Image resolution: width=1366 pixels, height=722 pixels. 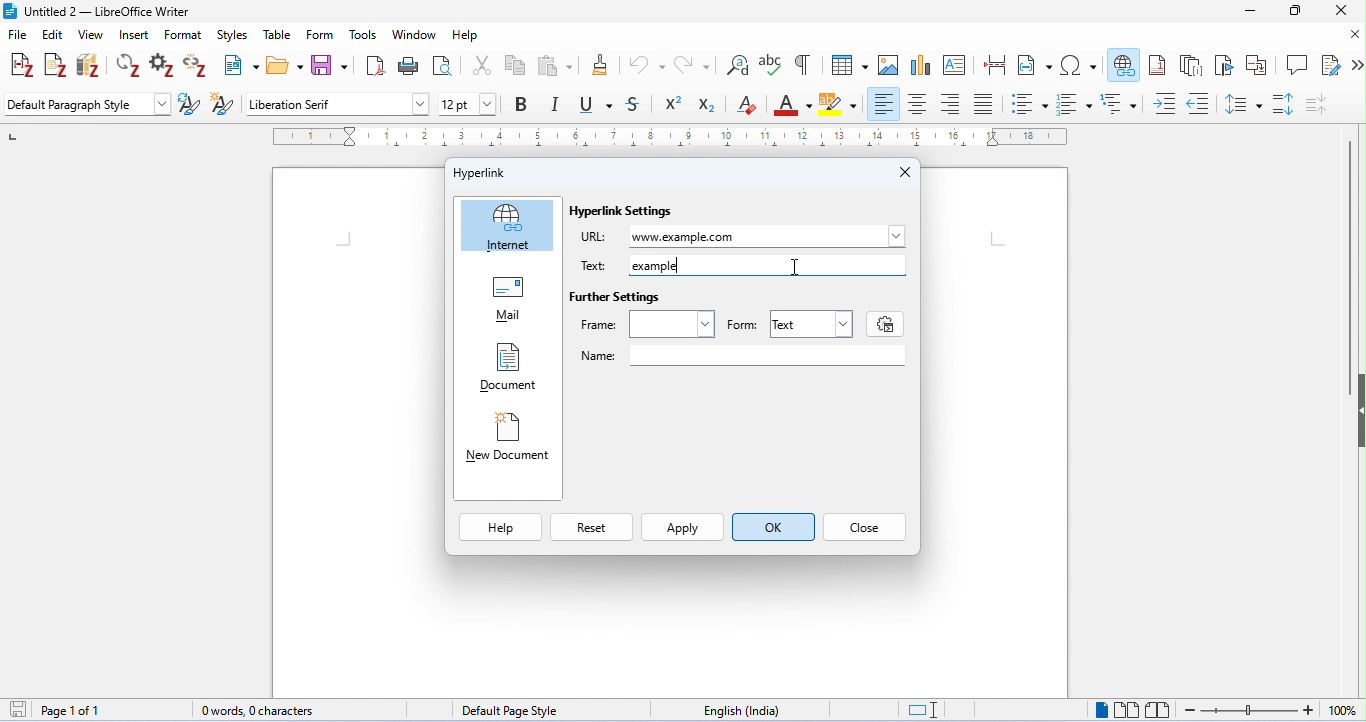 What do you see at coordinates (987, 104) in the screenshot?
I see `justified` at bounding box center [987, 104].